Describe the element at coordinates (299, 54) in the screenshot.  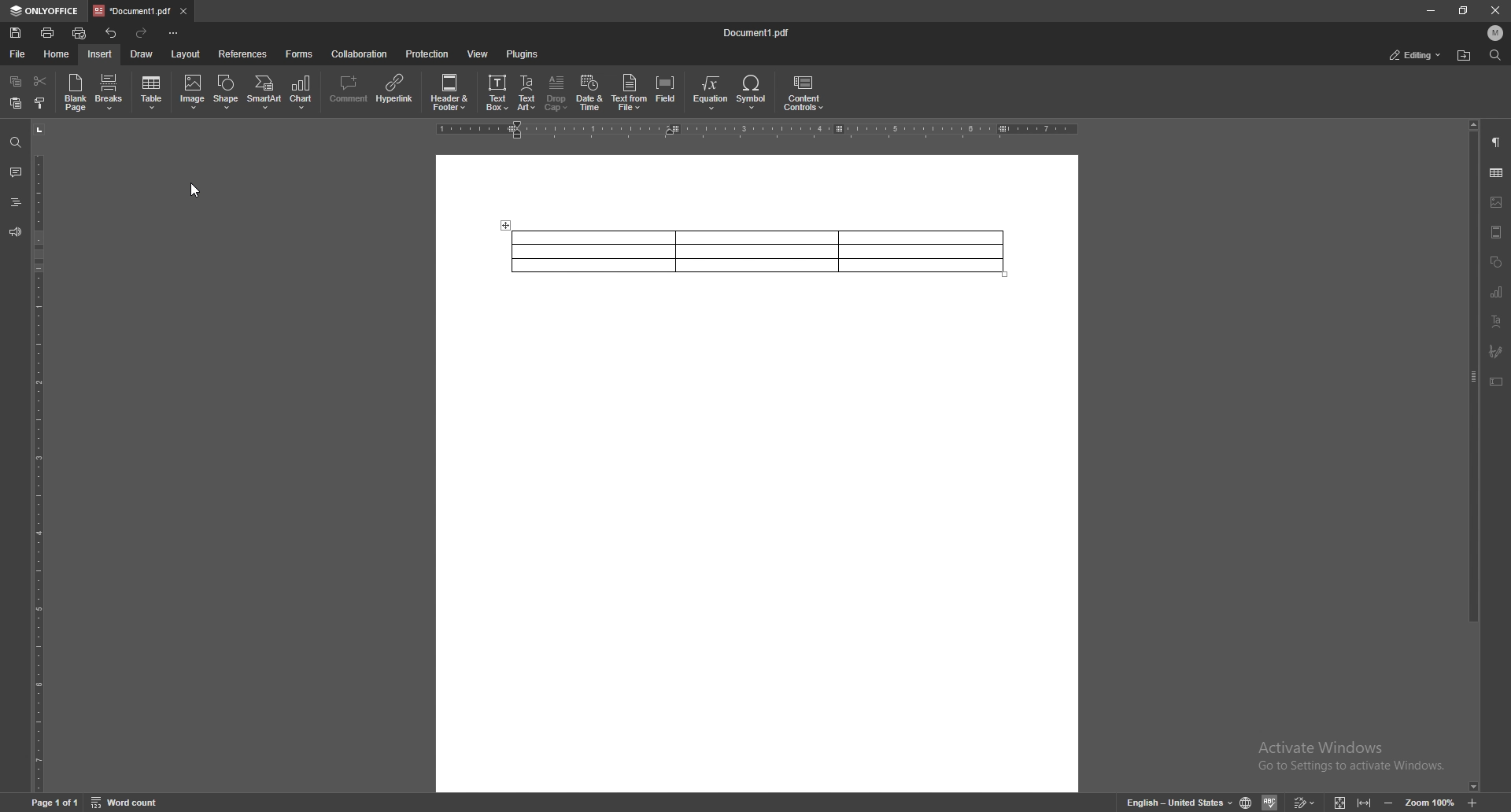
I see `forms` at that location.